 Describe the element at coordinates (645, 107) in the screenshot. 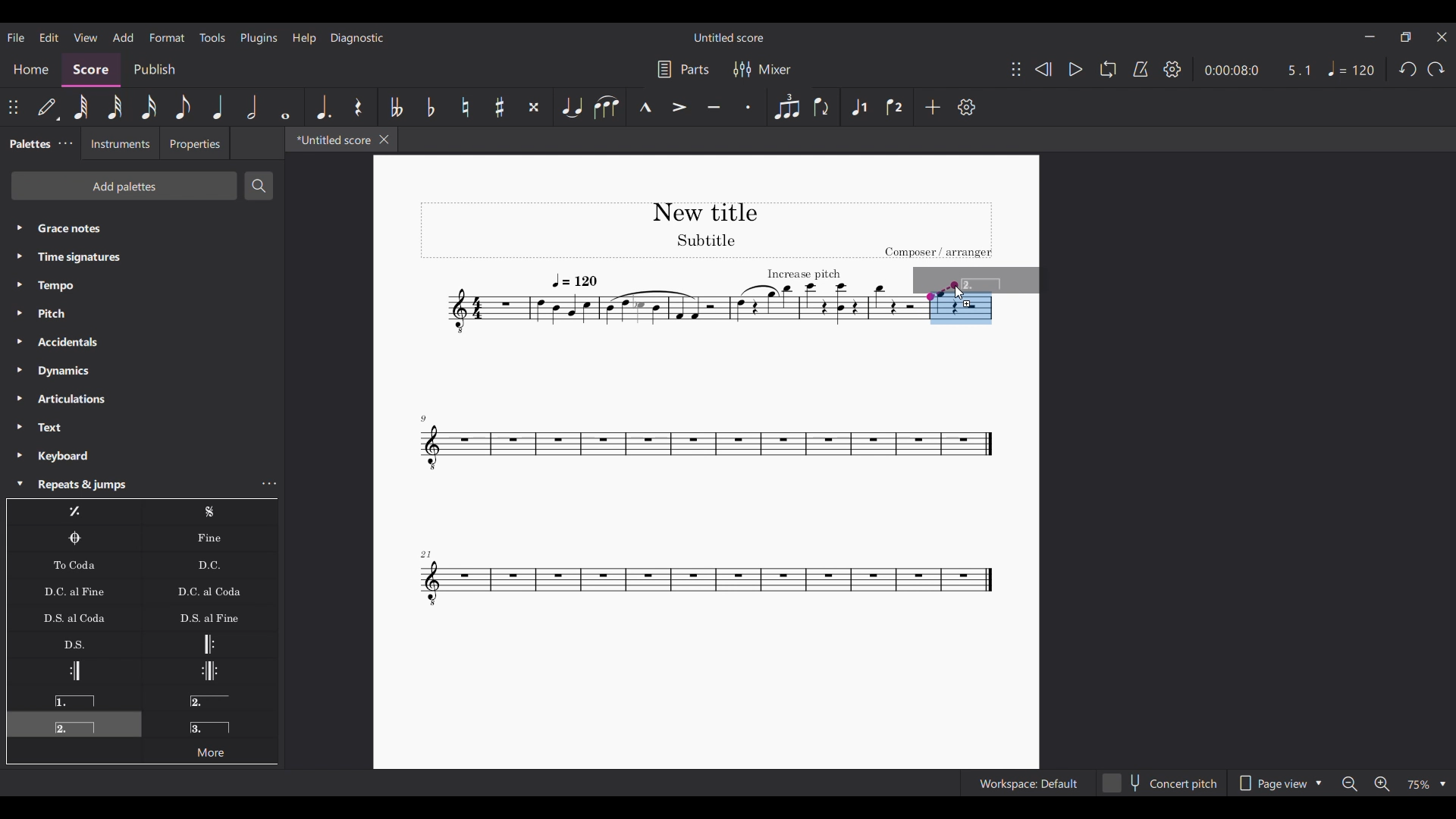

I see `Marcato` at that location.